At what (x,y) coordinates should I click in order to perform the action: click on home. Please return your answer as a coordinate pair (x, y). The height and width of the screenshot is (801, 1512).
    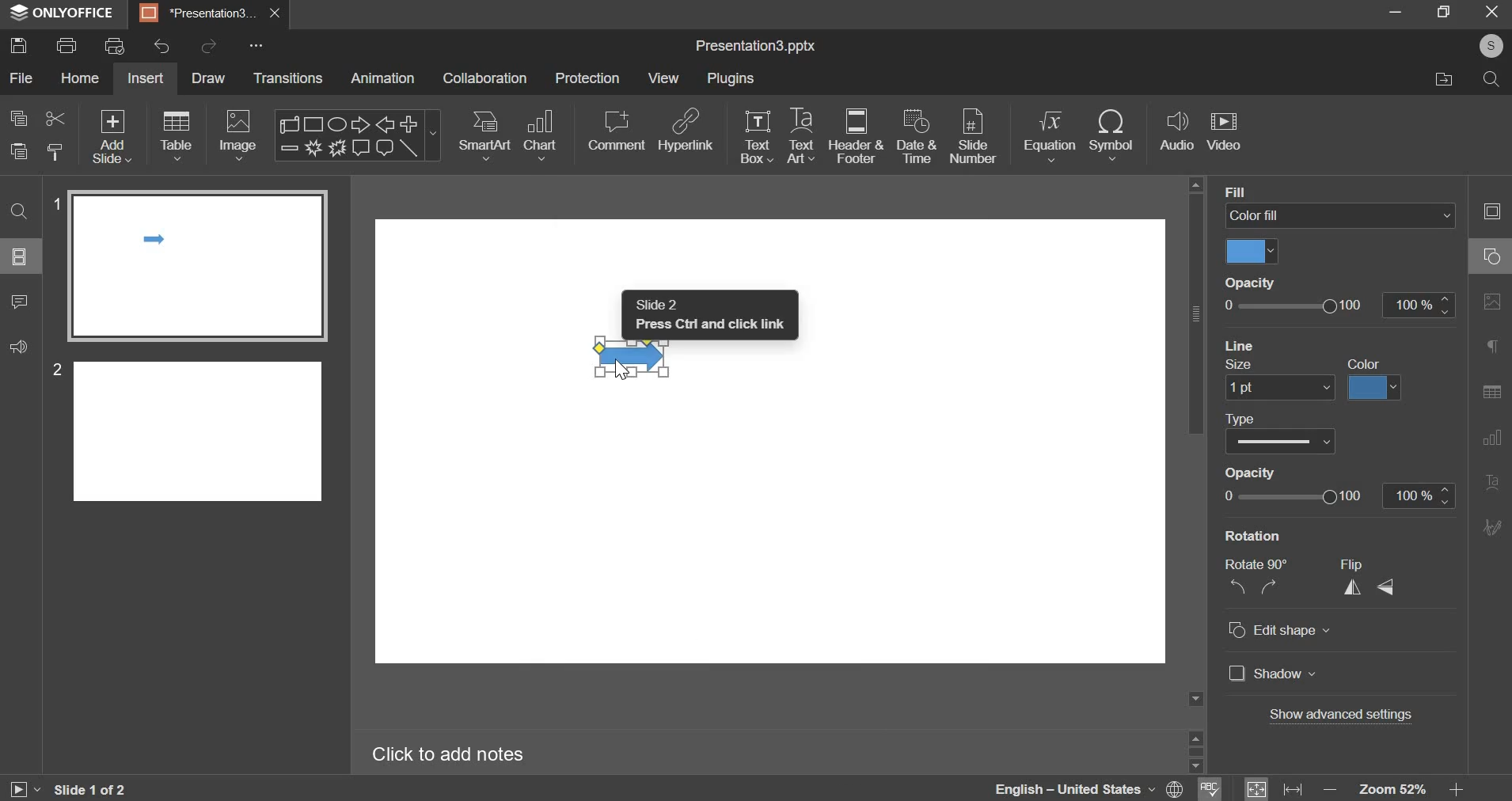
    Looking at the image, I should click on (81, 78).